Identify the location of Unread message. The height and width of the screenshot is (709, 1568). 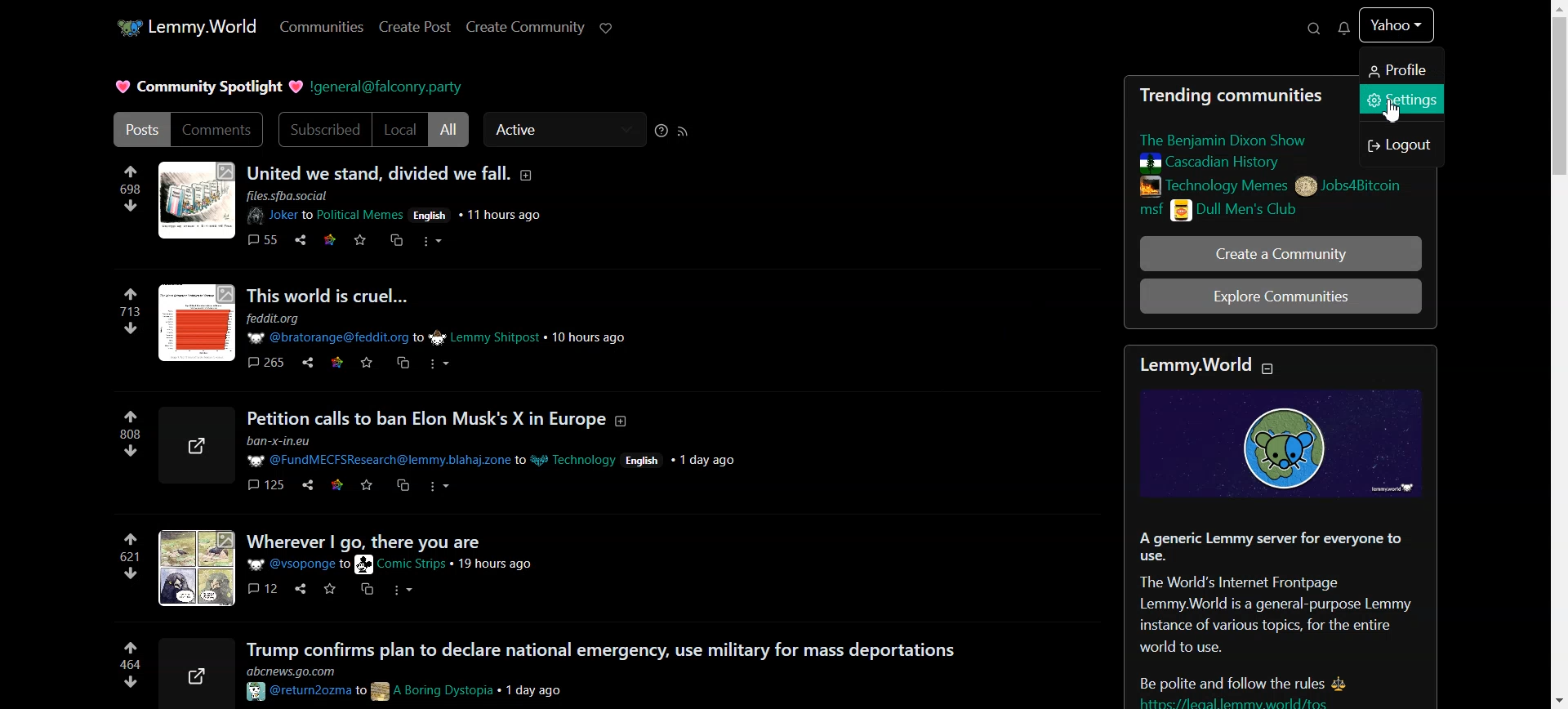
(1344, 29).